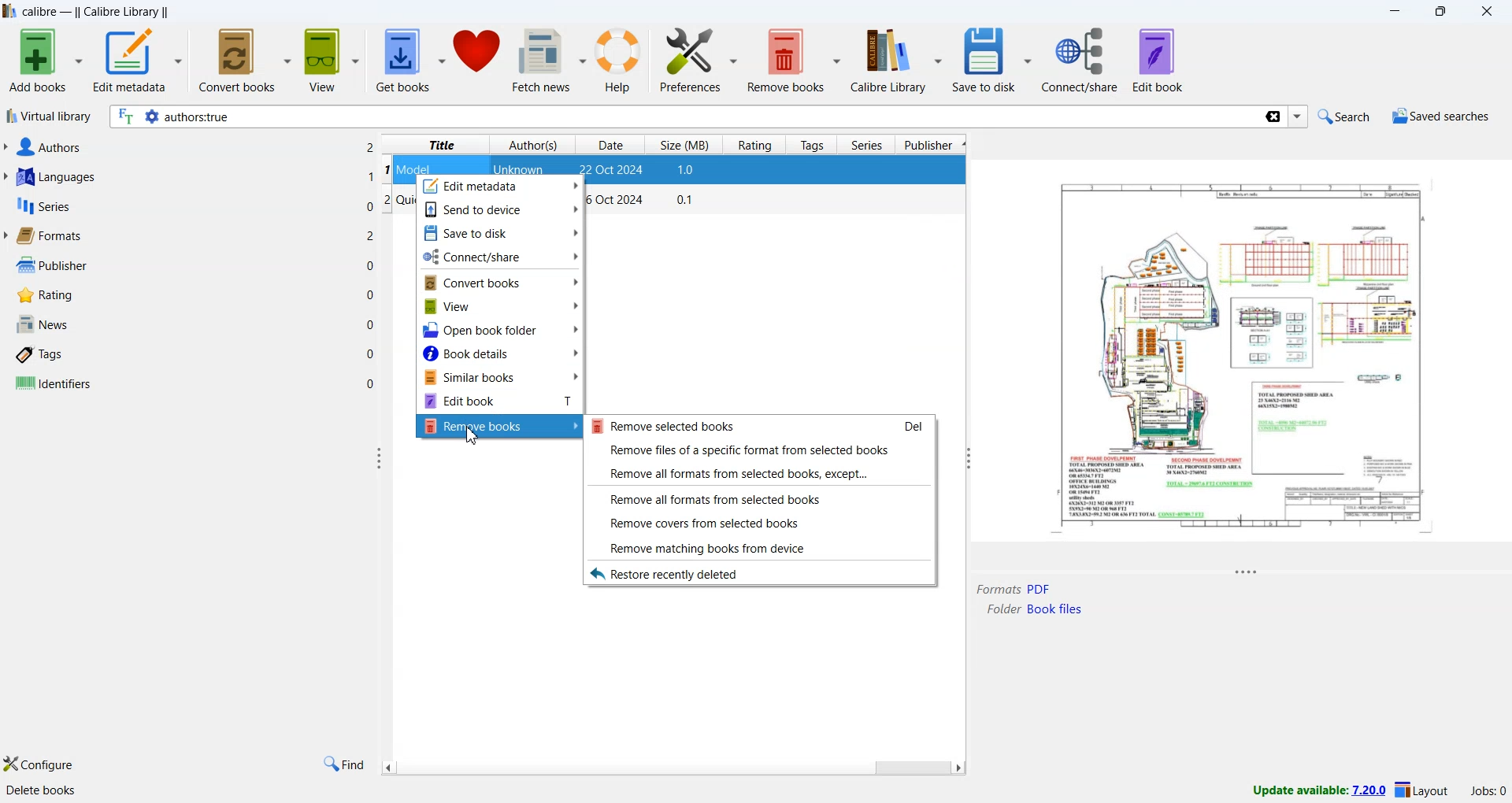  Describe the element at coordinates (991, 61) in the screenshot. I see `save to disk` at that location.